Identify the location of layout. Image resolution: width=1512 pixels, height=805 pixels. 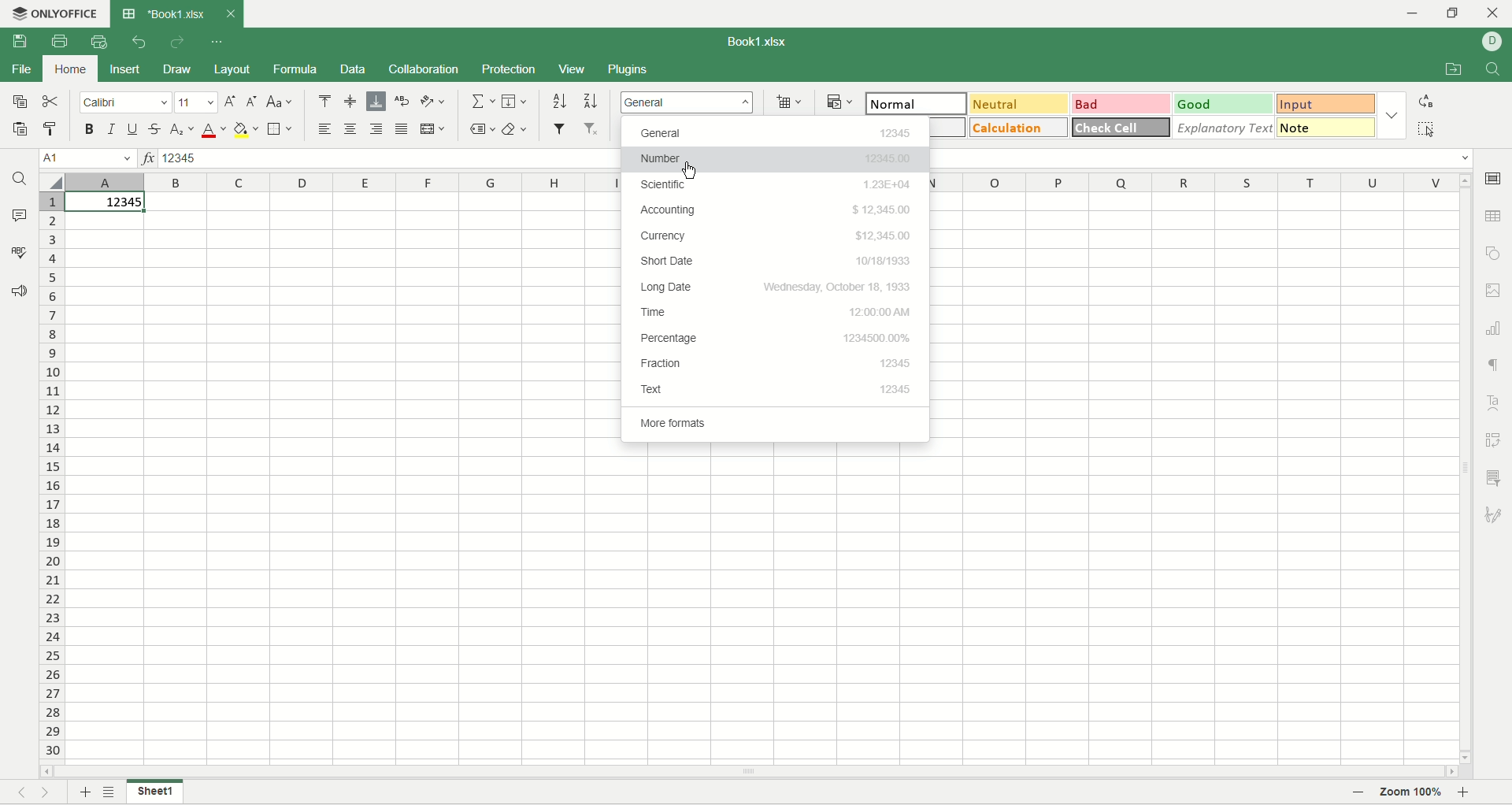
(234, 69).